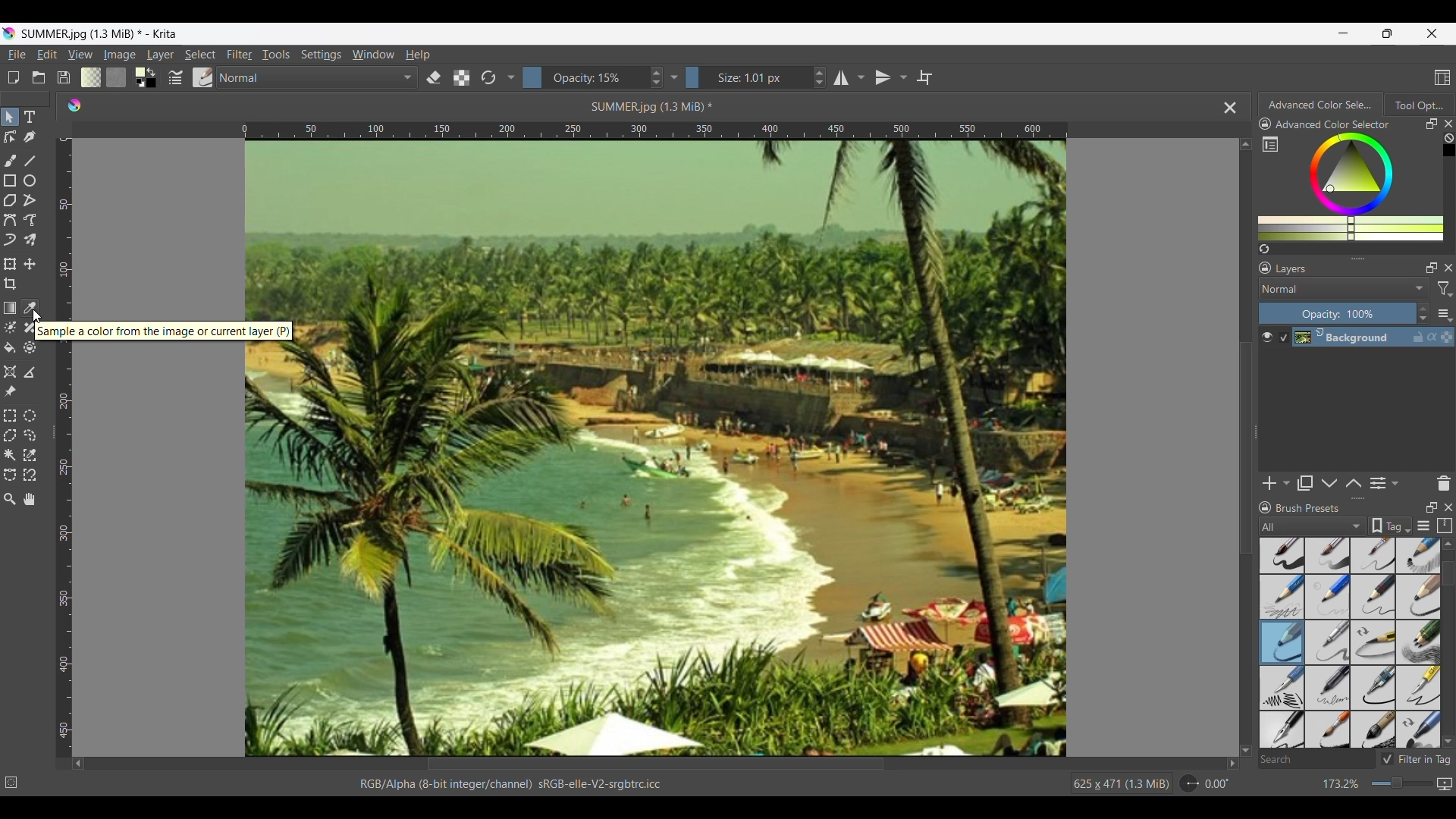 The width and height of the screenshot is (1456, 819). What do you see at coordinates (654, 106) in the screenshot?
I see `SUMMER jpg (1.3 MiB) *` at bounding box center [654, 106].